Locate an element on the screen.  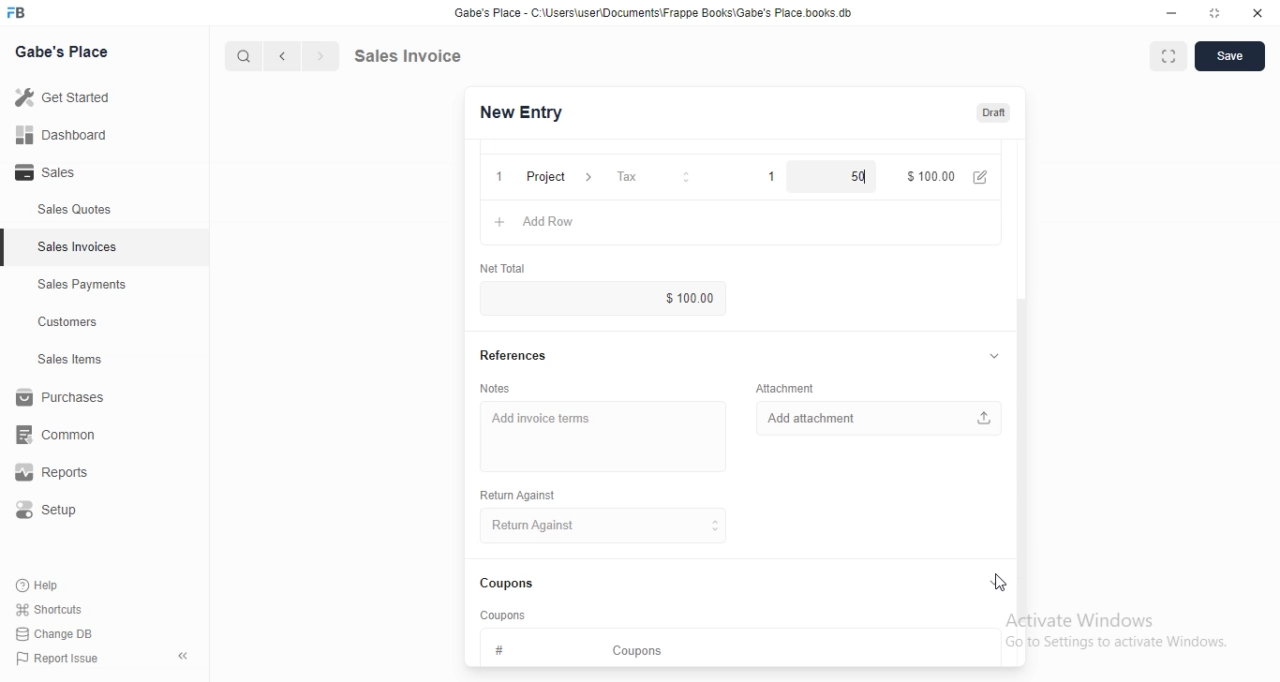
# Coupons is located at coordinates (587, 647).